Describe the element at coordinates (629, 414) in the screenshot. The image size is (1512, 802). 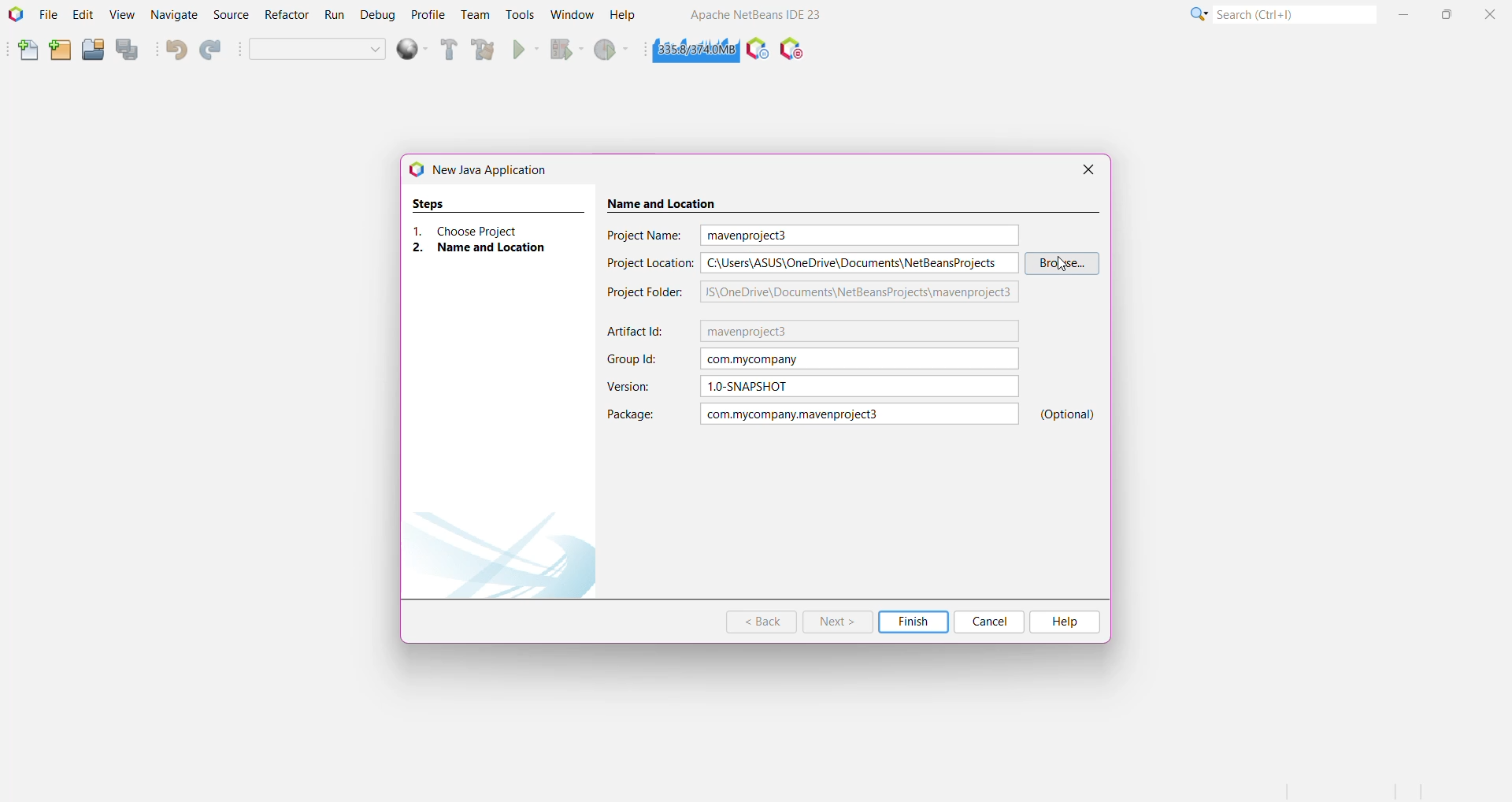
I see `Package` at that location.